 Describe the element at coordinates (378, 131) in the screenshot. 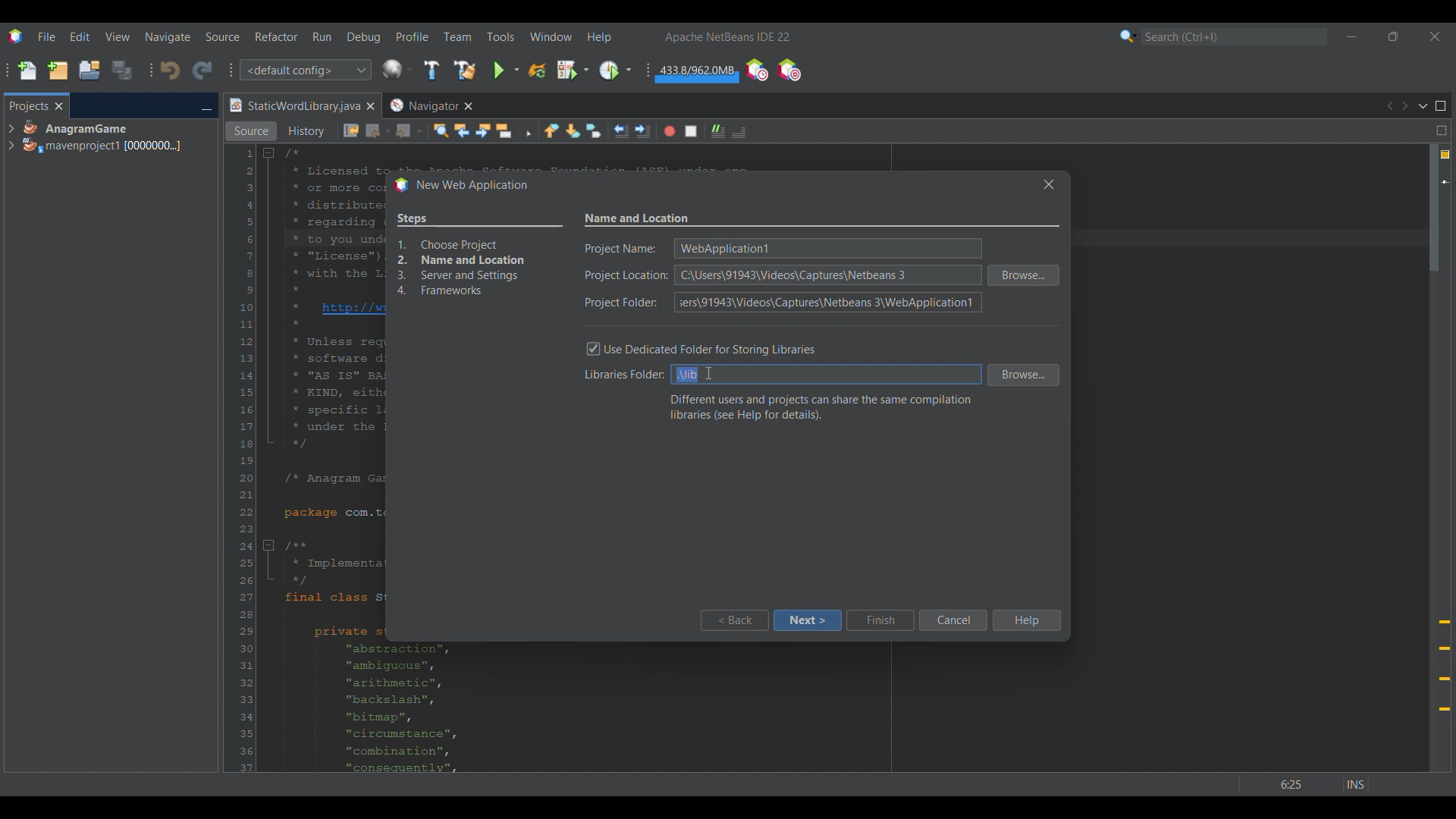

I see `Back` at that location.